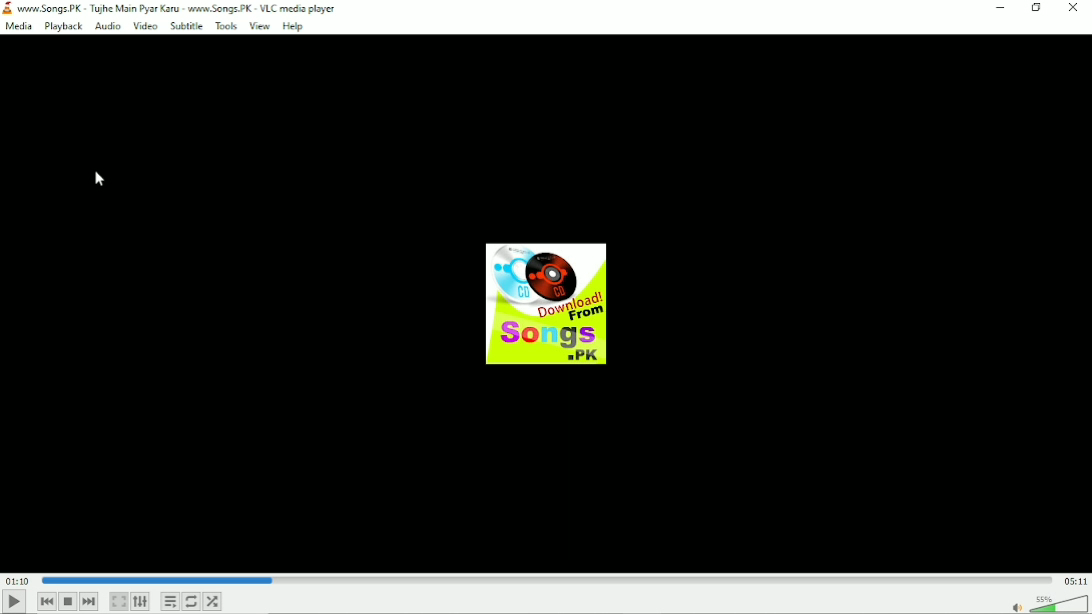 The width and height of the screenshot is (1092, 614). What do you see at coordinates (545, 304) in the screenshot?
I see `Audio track` at bounding box center [545, 304].